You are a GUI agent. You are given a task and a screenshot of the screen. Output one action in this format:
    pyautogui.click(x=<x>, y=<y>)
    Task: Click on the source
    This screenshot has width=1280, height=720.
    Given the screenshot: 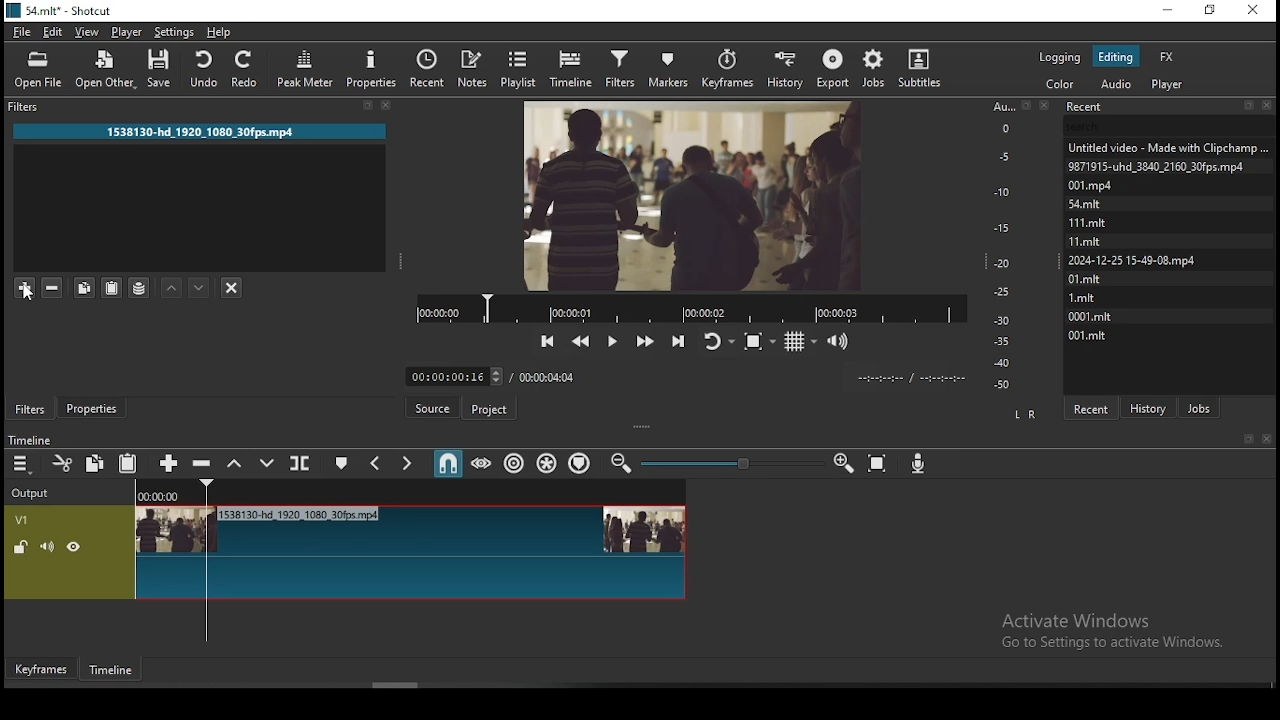 What is the action you would take?
    pyautogui.click(x=435, y=409)
    